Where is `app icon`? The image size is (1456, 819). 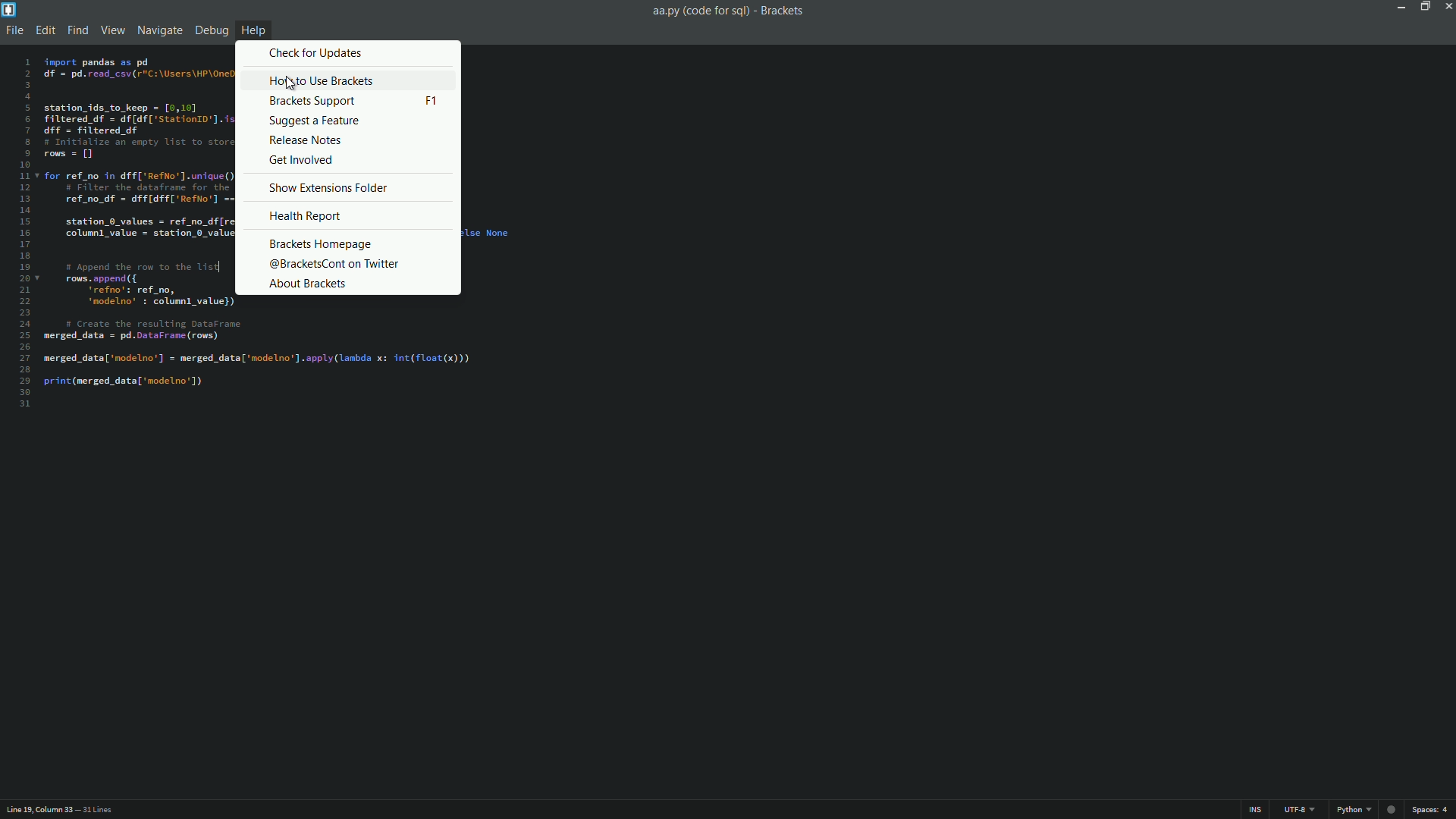 app icon is located at coordinates (9, 9).